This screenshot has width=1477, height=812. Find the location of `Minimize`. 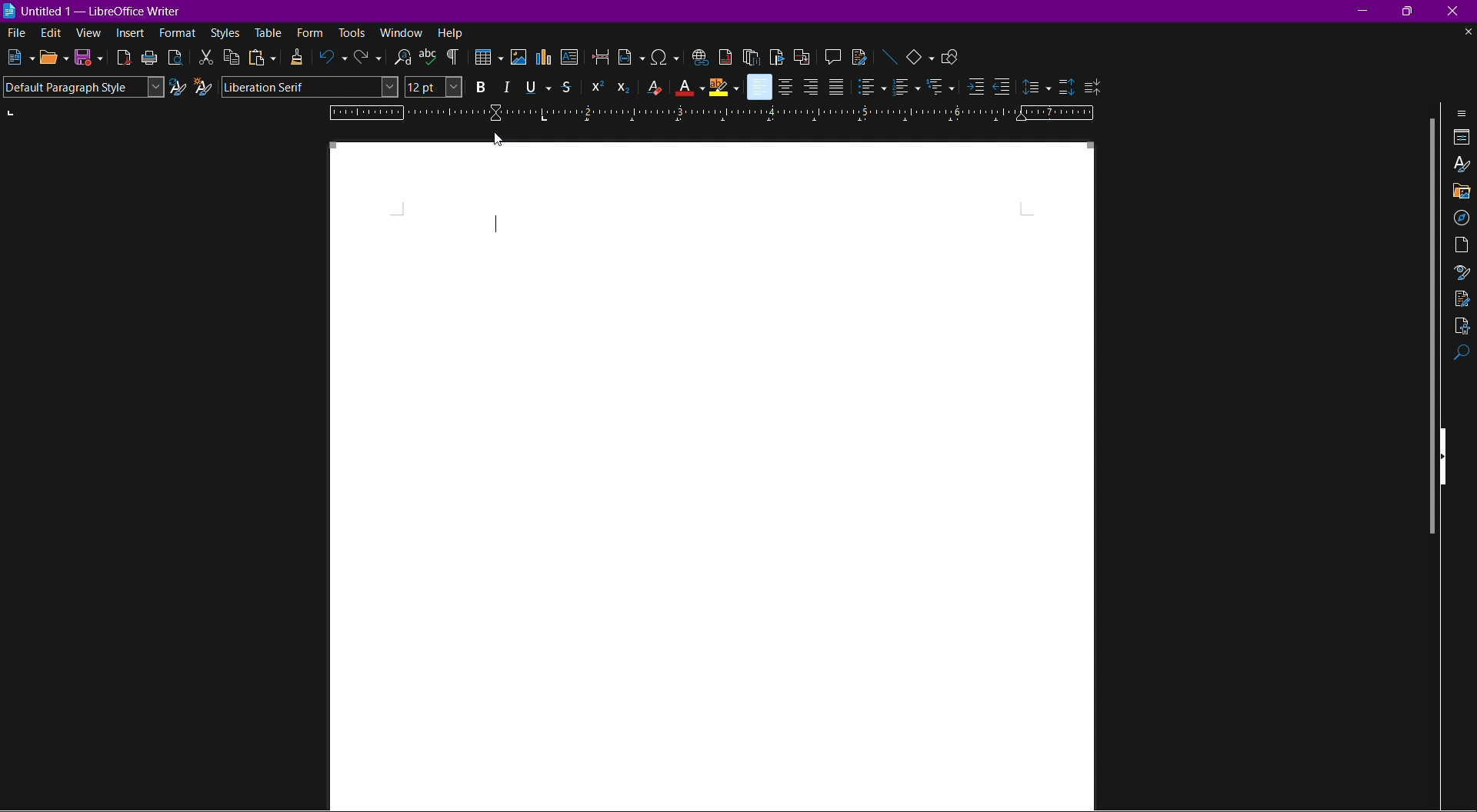

Minimize is located at coordinates (1365, 10).